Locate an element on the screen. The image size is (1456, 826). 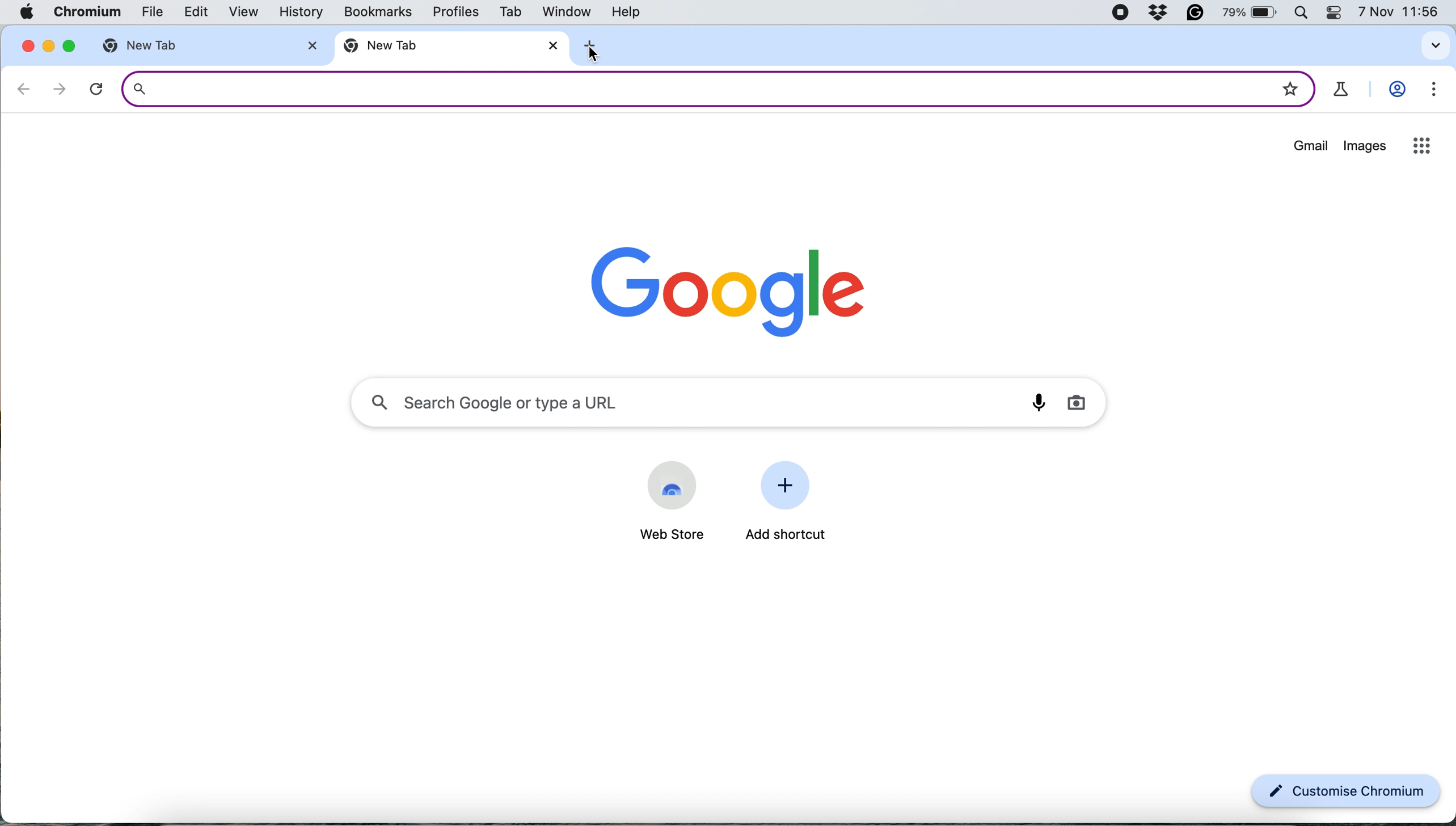
chrome web store is located at coordinates (672, 484).